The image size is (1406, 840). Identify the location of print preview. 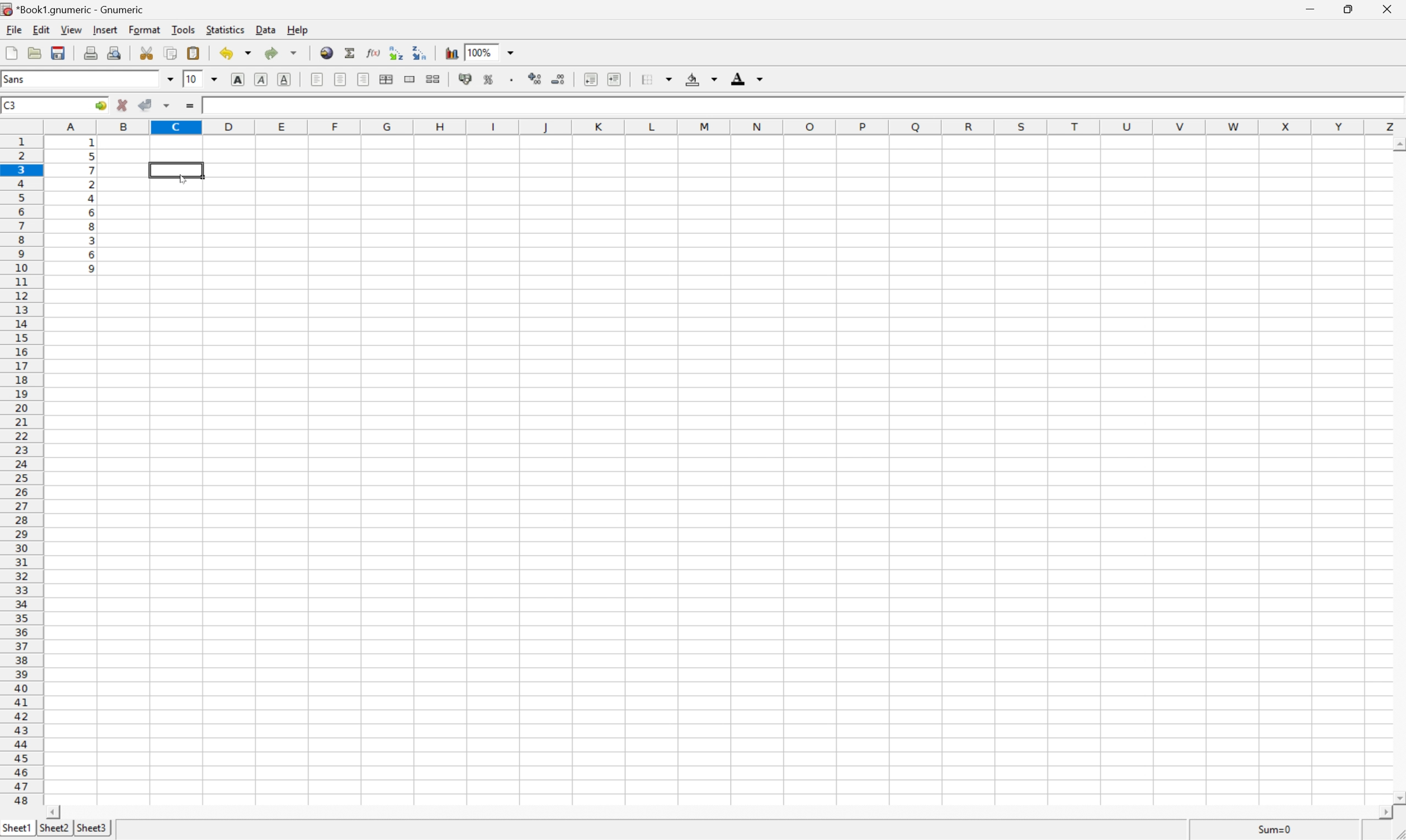
(113, 52).